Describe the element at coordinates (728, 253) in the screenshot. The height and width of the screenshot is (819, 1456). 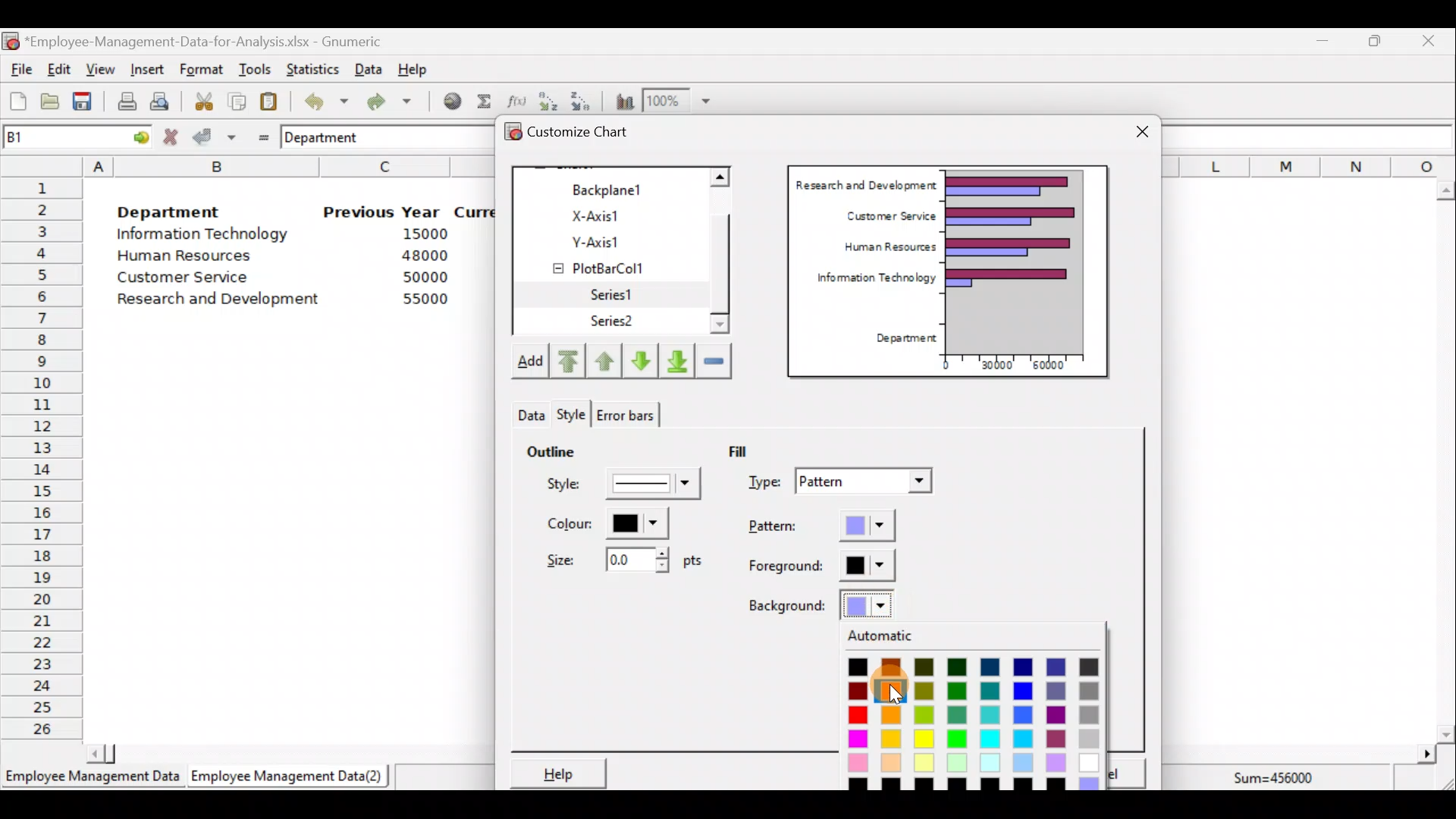
I see `Scroll bar` at that location.